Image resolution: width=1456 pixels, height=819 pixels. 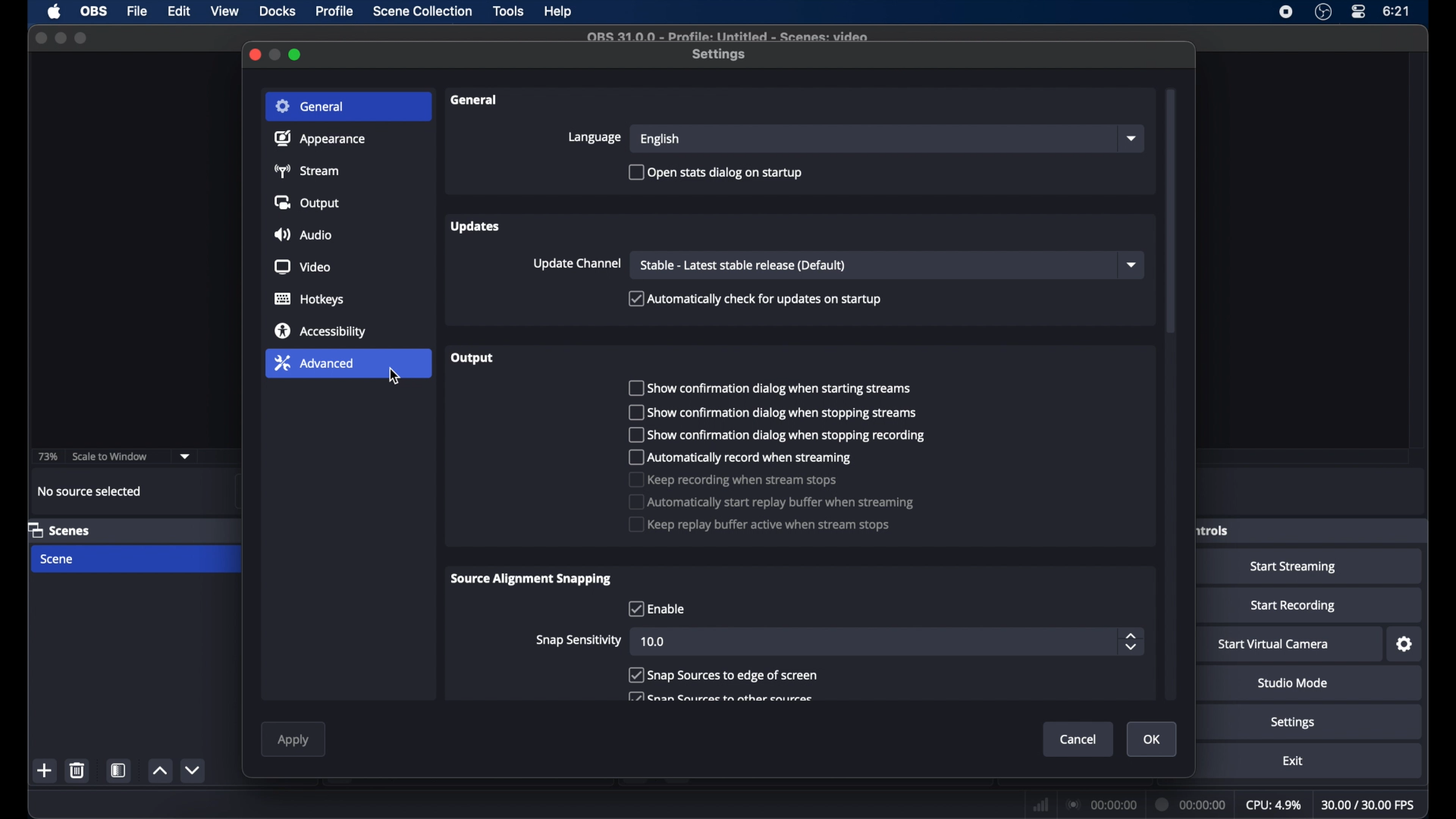 I want to click on start virtual camera, so click(x=1273, y=645).